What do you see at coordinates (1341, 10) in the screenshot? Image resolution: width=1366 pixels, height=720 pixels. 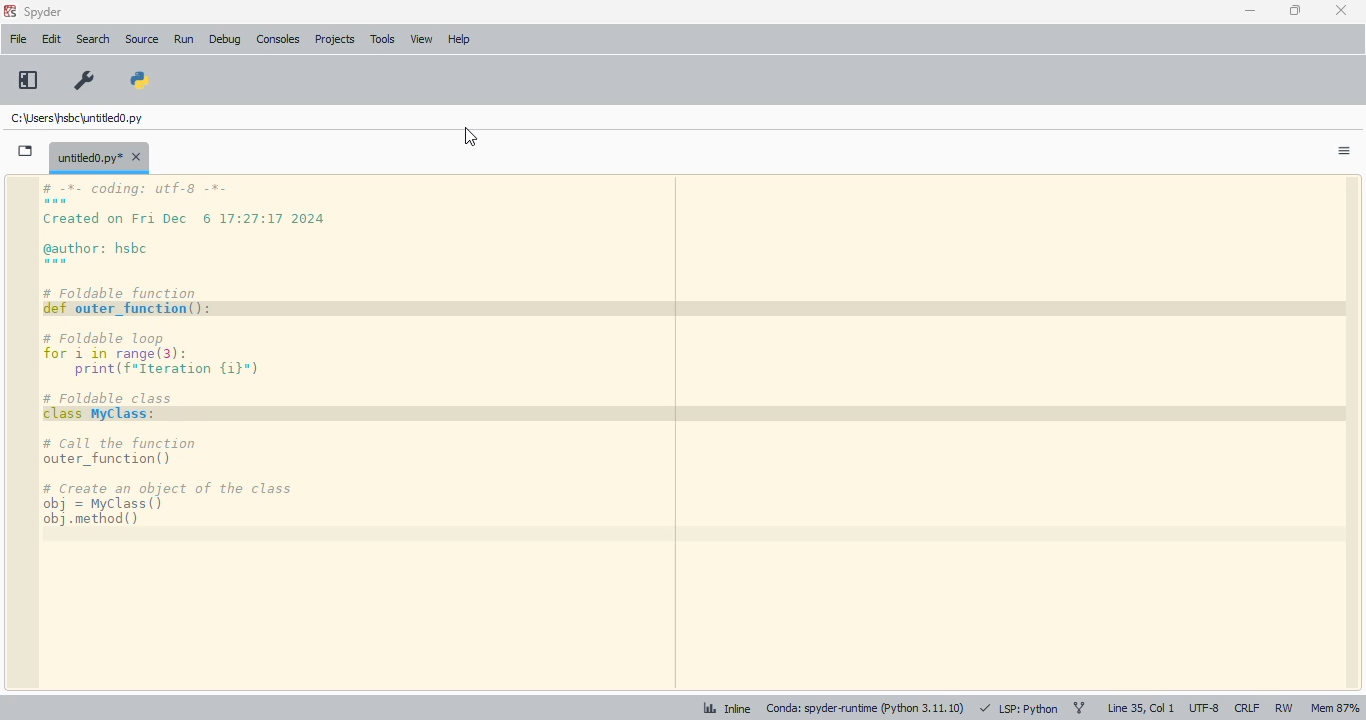 I see `close` at bounding box center [1341, 10].